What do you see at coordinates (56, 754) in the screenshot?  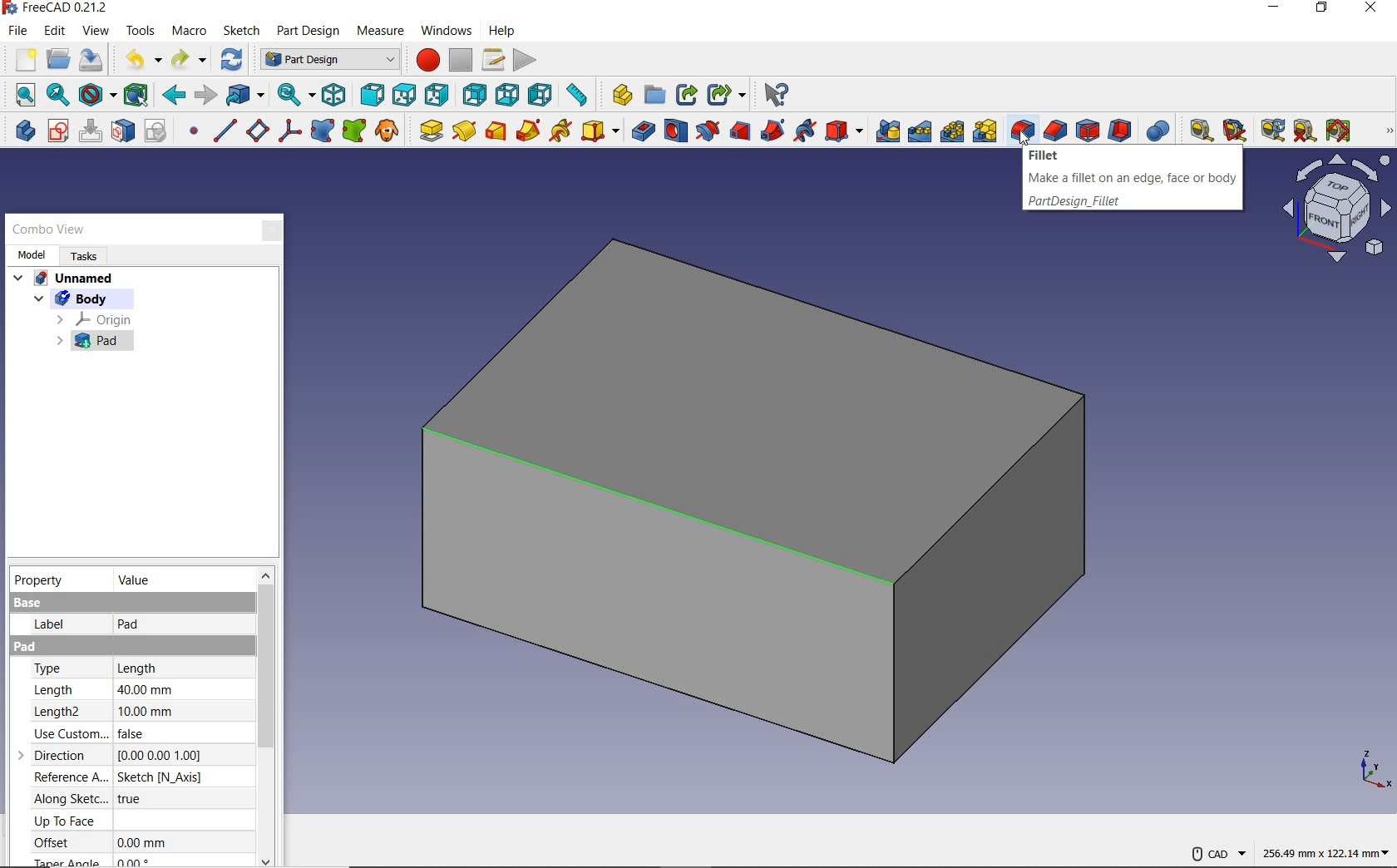 I see `direction` at bounding box center [56, 754].